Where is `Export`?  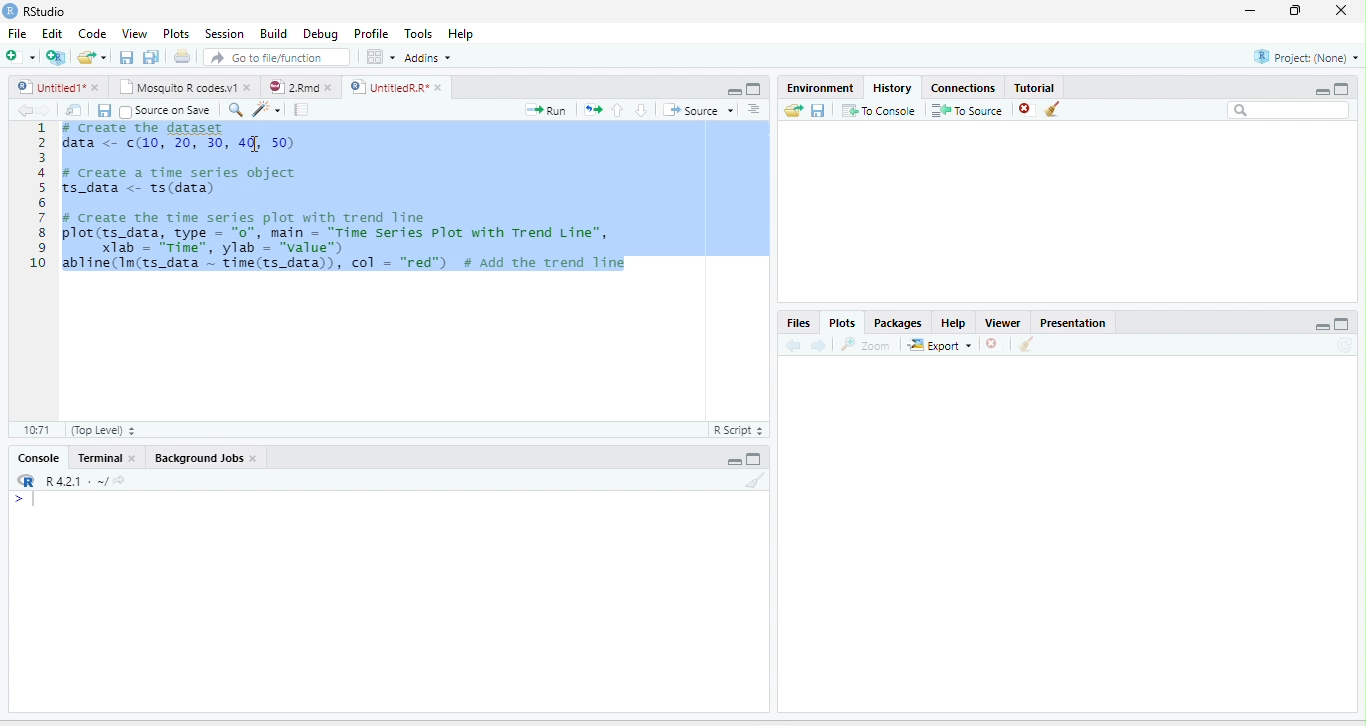
Export is located at coordinates (940, 345).